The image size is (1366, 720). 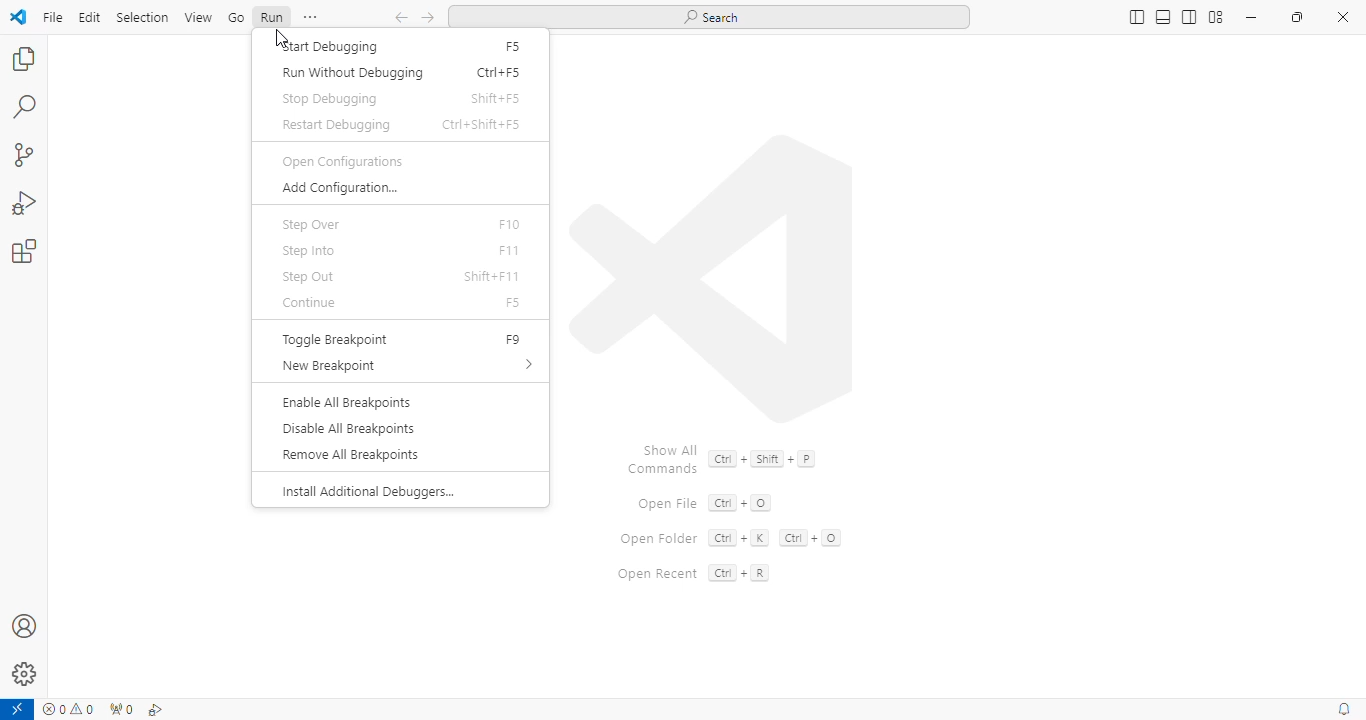 What do you see at coordinates (156, 710) in the screenshot?
I see `select and start debug configuration` at bounding box center [156, 710].